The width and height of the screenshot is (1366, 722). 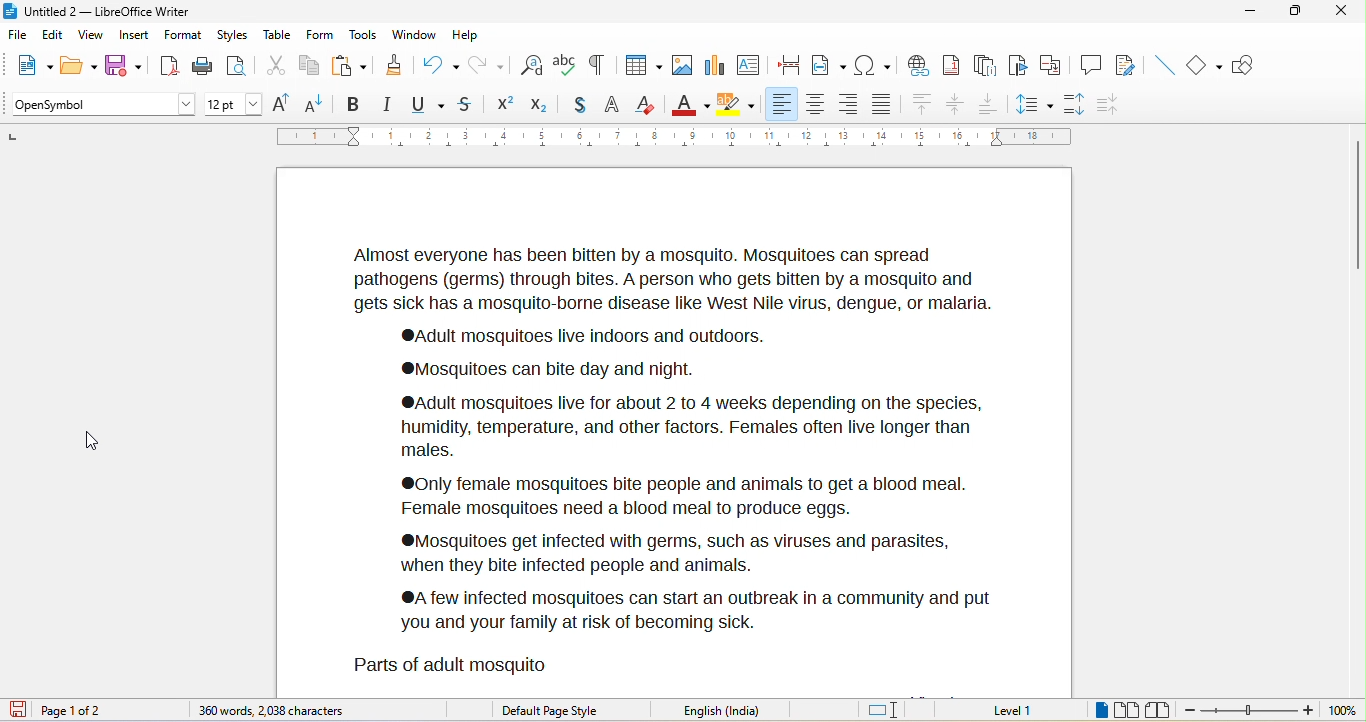 I want to click on print, so click(x=203, y=64).